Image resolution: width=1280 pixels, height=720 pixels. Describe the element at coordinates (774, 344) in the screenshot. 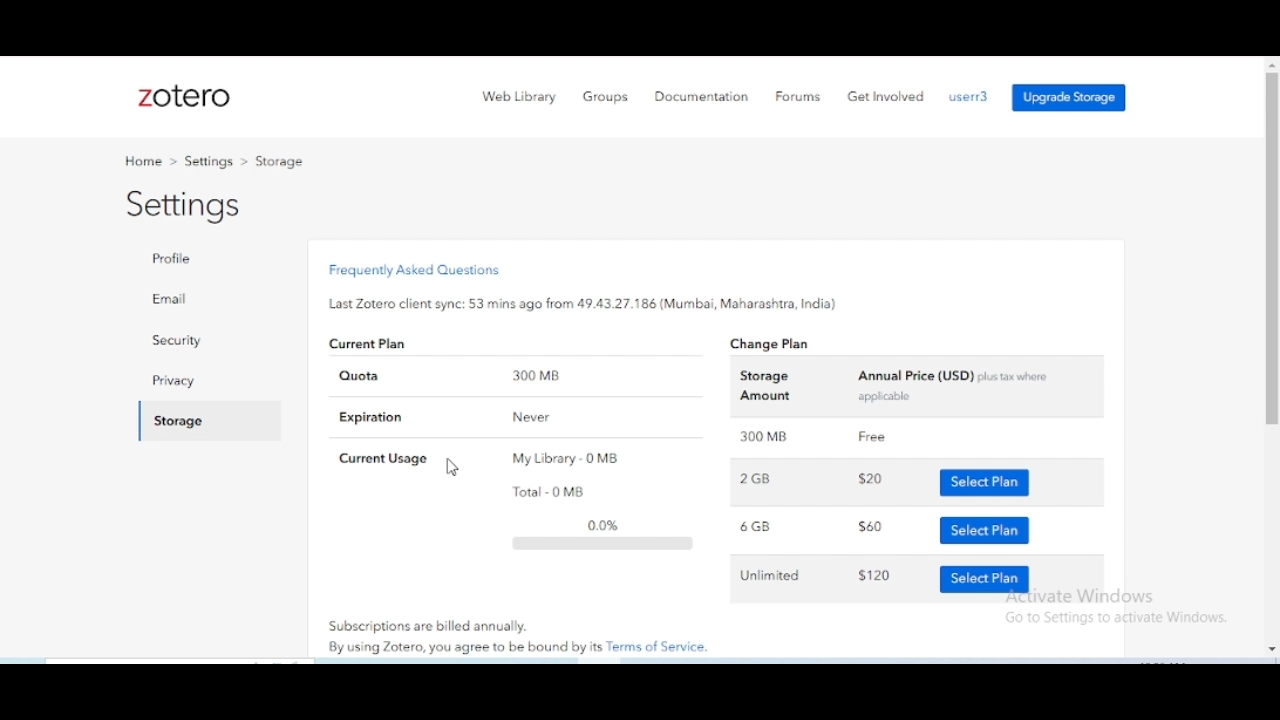

I see `change plan` at that location.